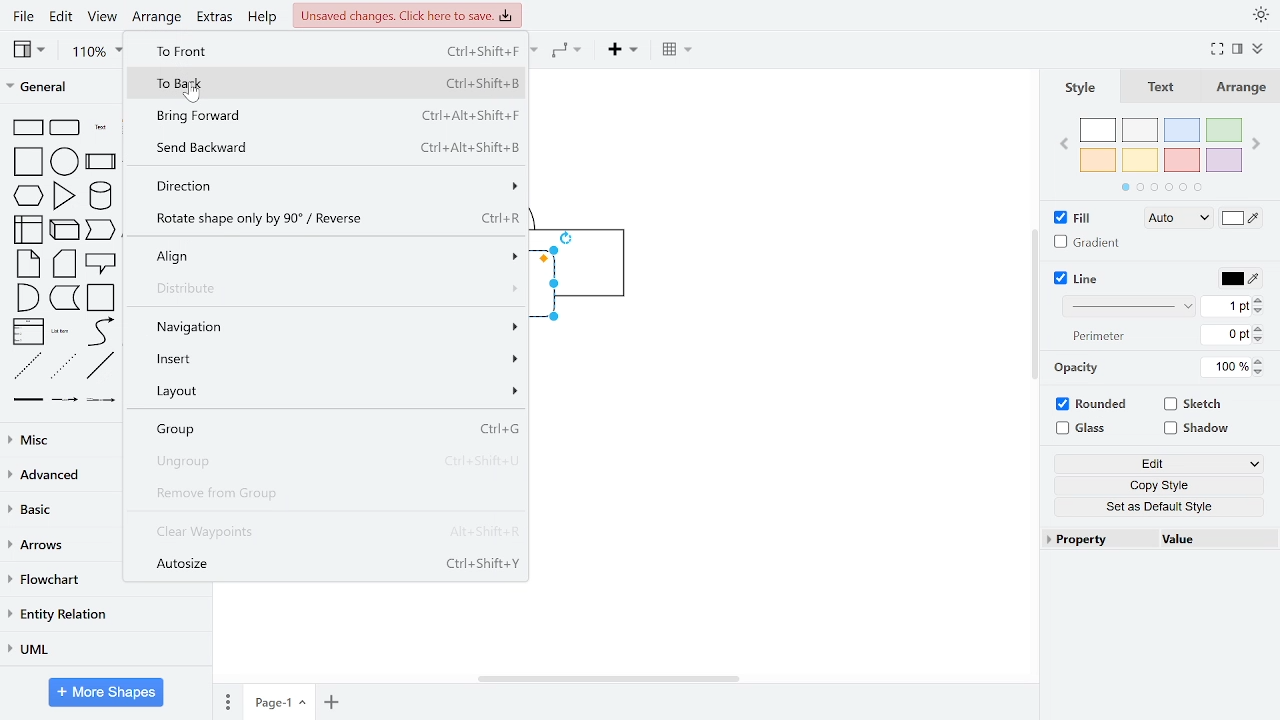 Image resolution: width=1280 pixels, height=720 pixels. Describe the element at coordinates (1078, 278) in the screenshot. I see `line` at that location.